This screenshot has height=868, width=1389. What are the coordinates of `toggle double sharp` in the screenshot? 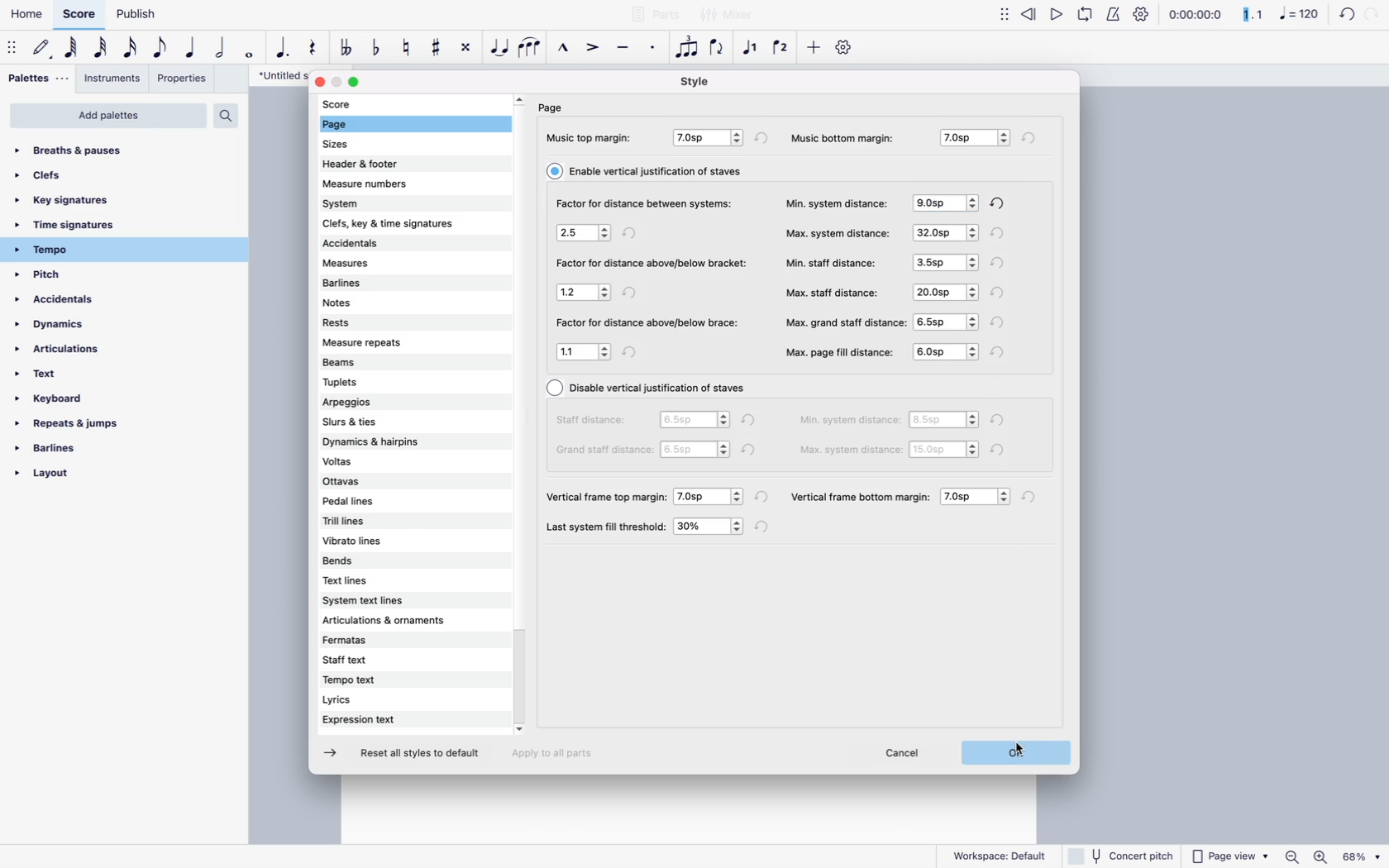 It's located at (468, 50).